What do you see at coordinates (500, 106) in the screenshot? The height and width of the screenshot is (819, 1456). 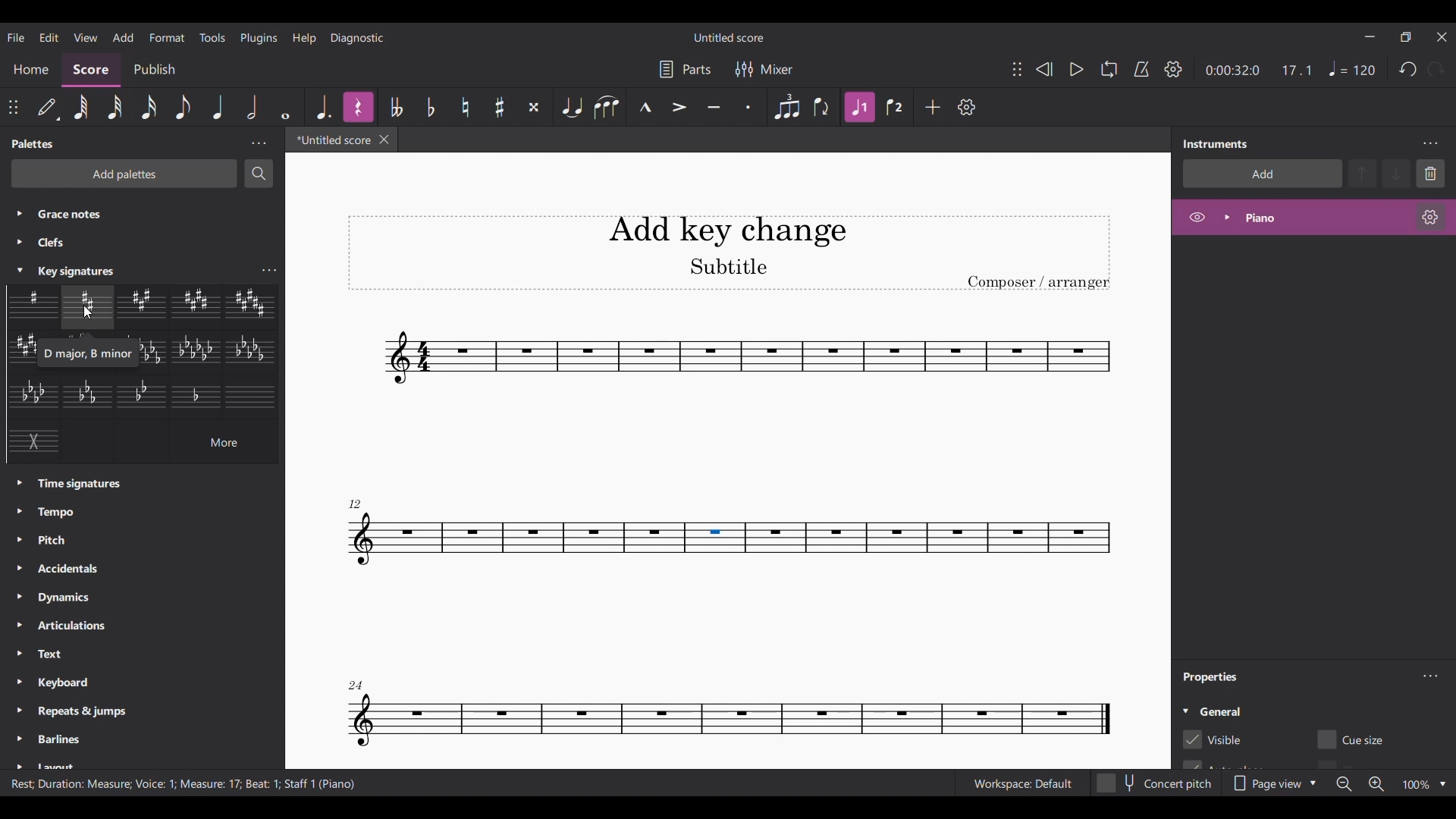 I see `Toggle sharp` at bounding box center [500, 106].